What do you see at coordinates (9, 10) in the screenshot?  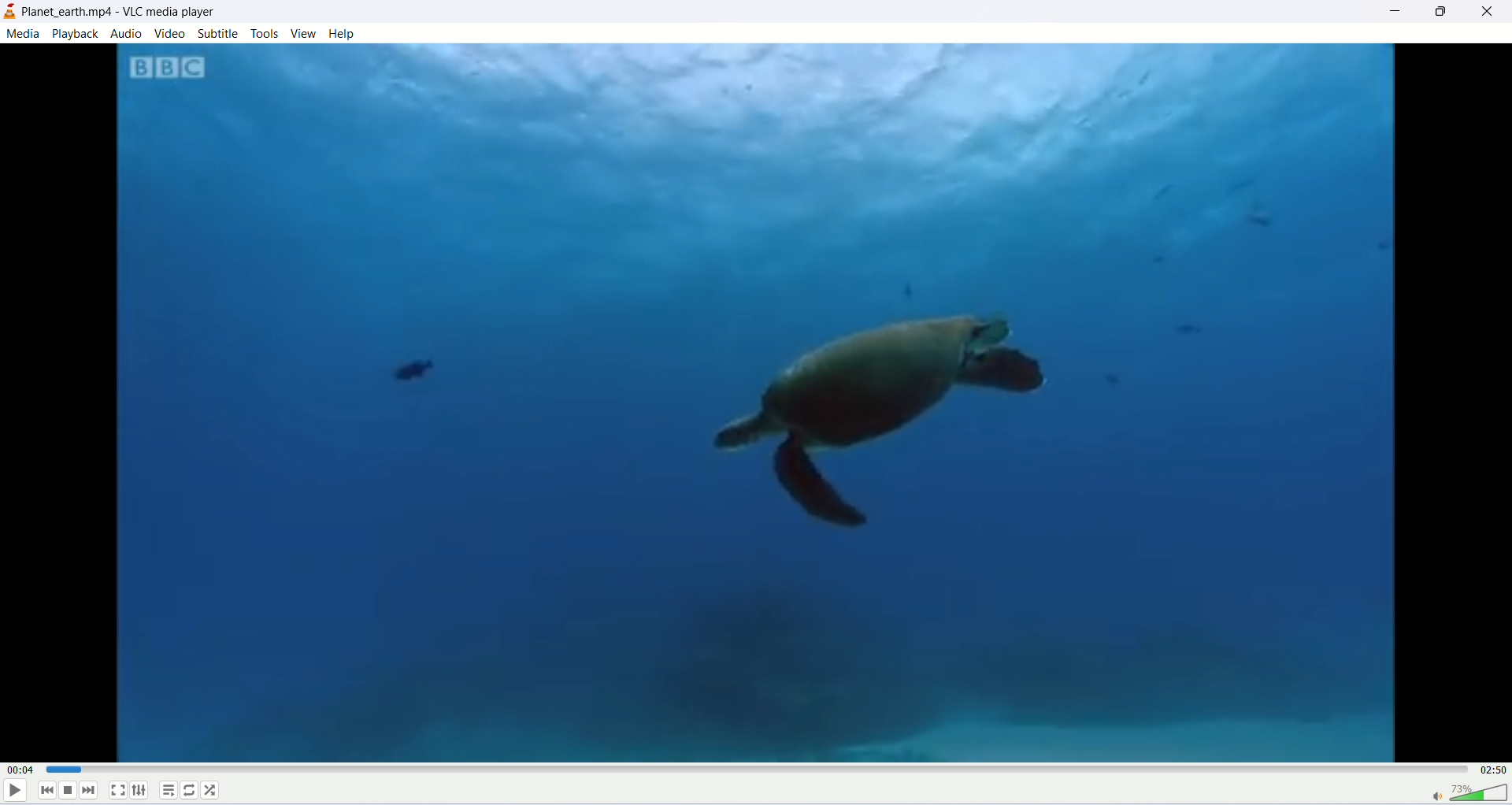 I see `logo` at bounding box center [9, 10].